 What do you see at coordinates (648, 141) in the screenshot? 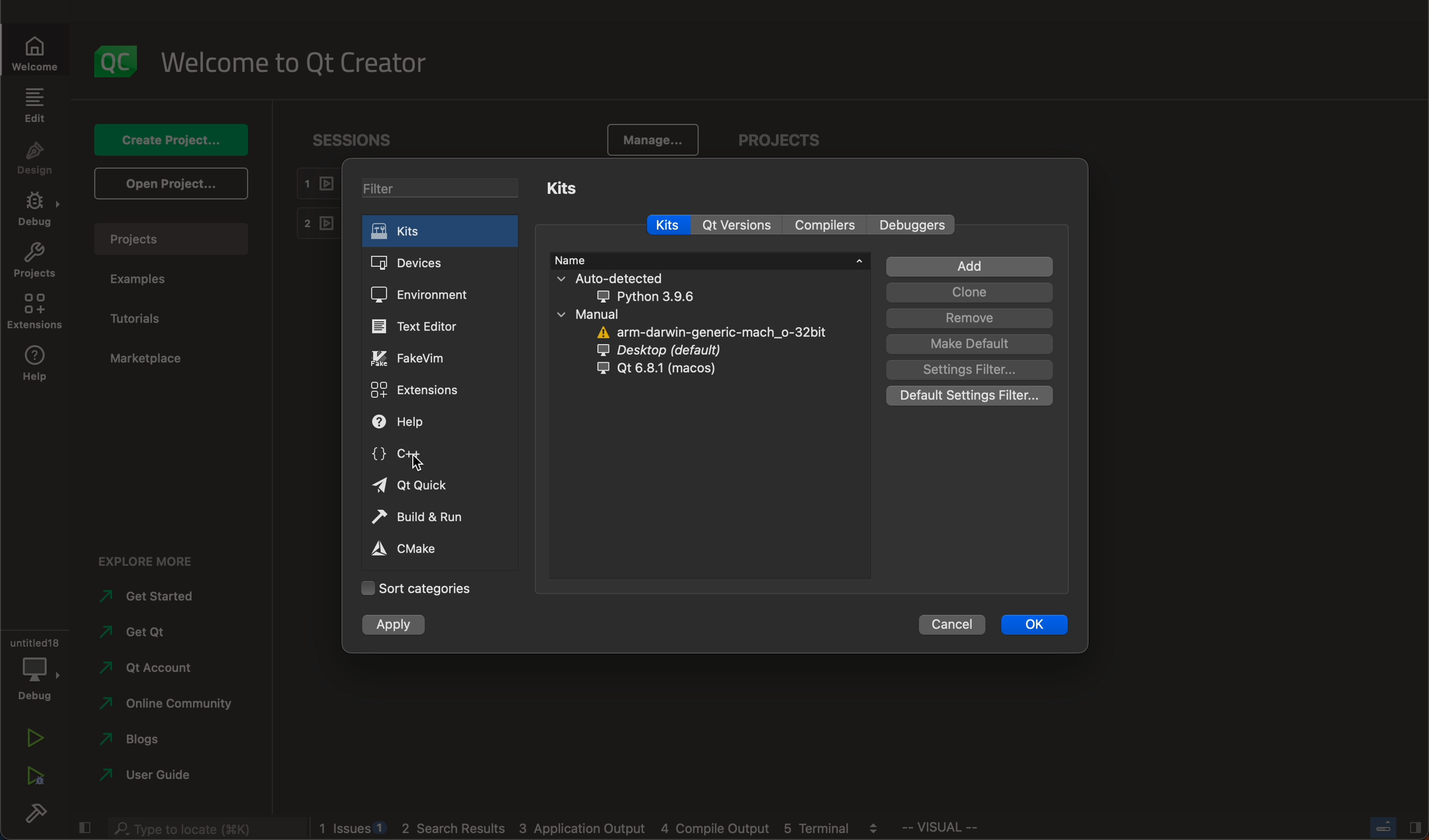
I see `manage` at bounding box center [648, 141].